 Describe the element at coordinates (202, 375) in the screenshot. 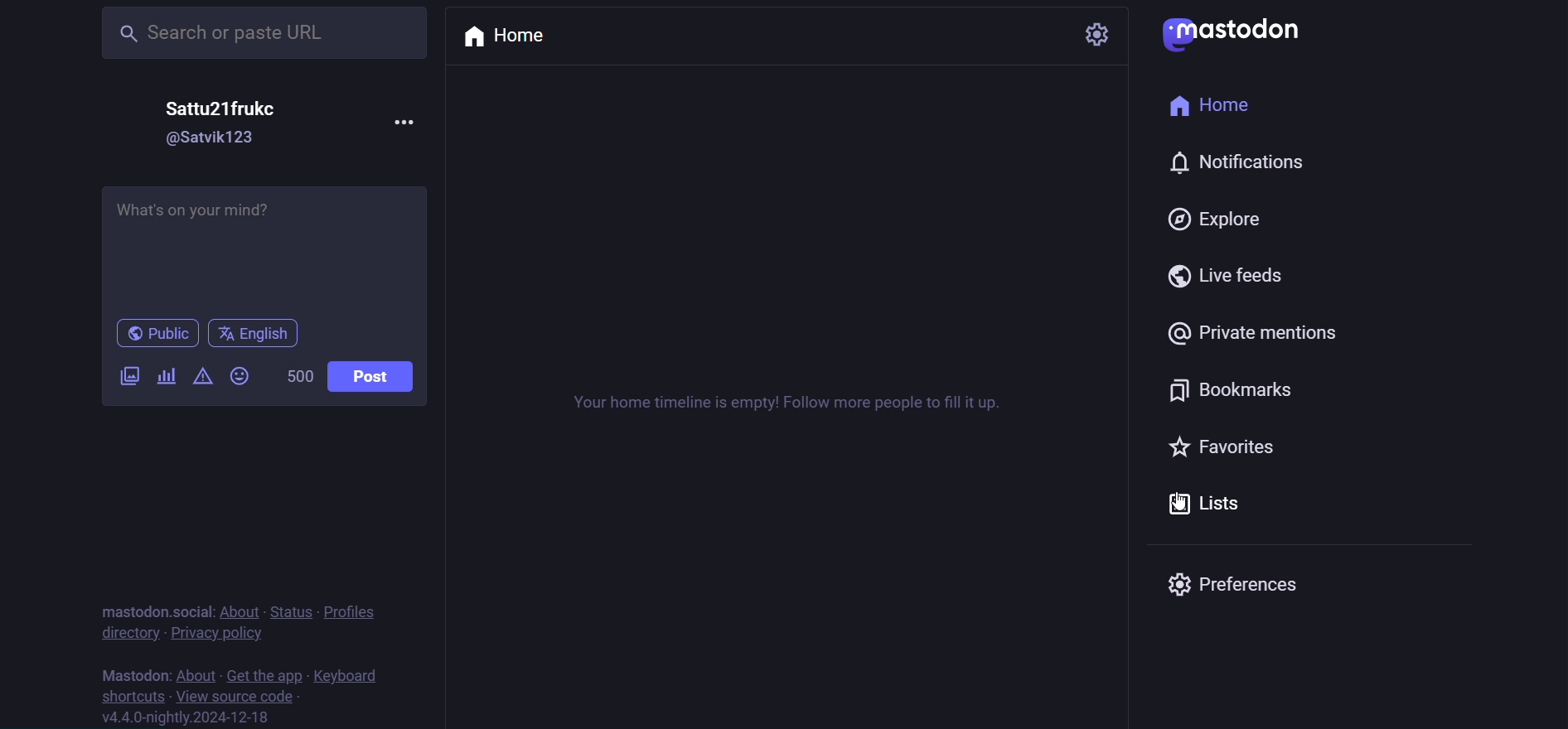

I see `content warning` at that location.